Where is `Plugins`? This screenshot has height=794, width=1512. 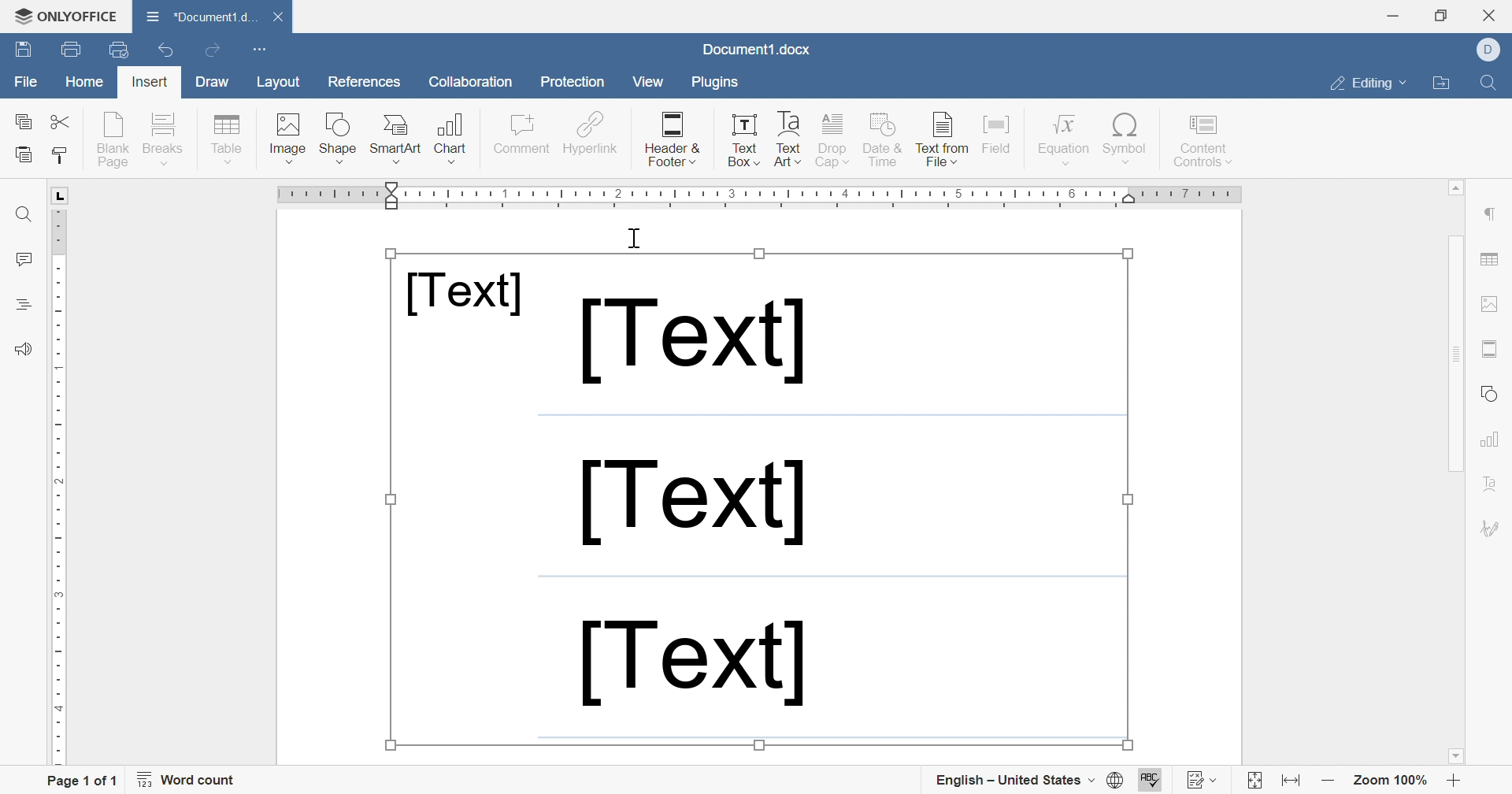
Plugins is located at coordinates (717, 84).